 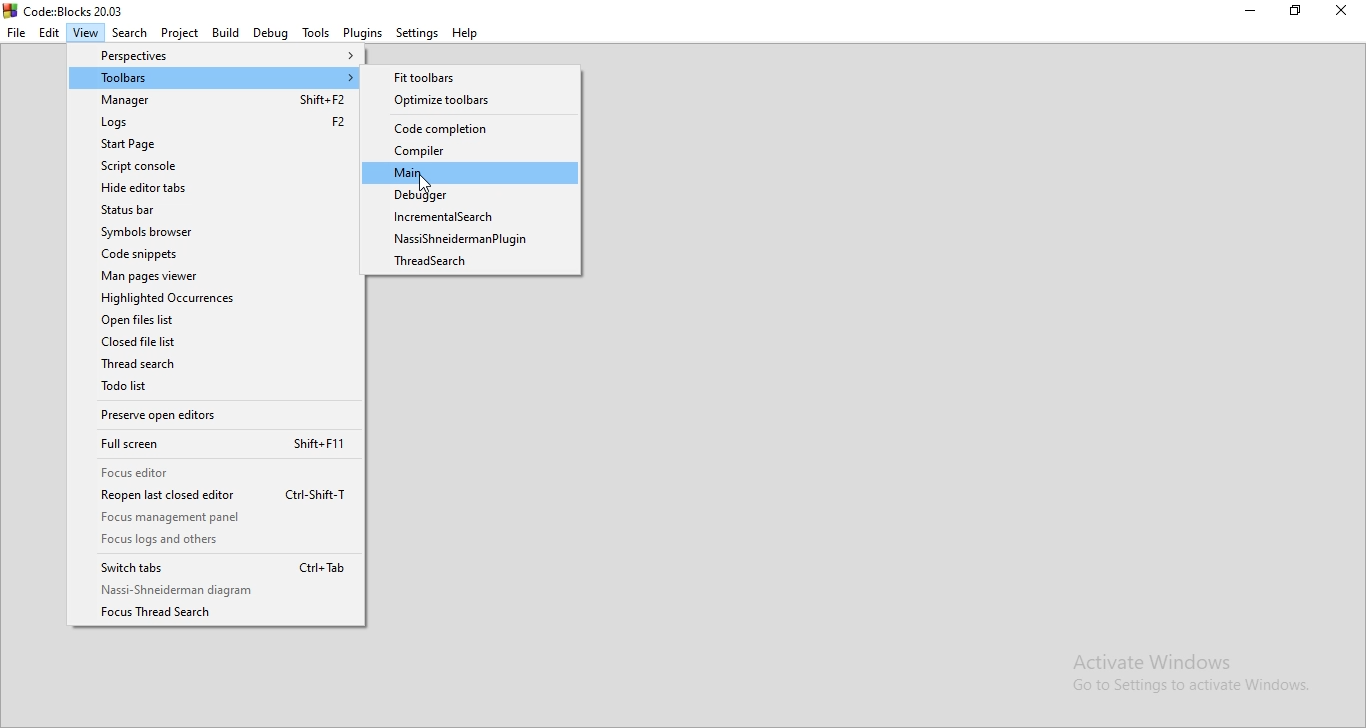 I want to click on Settings , so click(x=416, y=32).